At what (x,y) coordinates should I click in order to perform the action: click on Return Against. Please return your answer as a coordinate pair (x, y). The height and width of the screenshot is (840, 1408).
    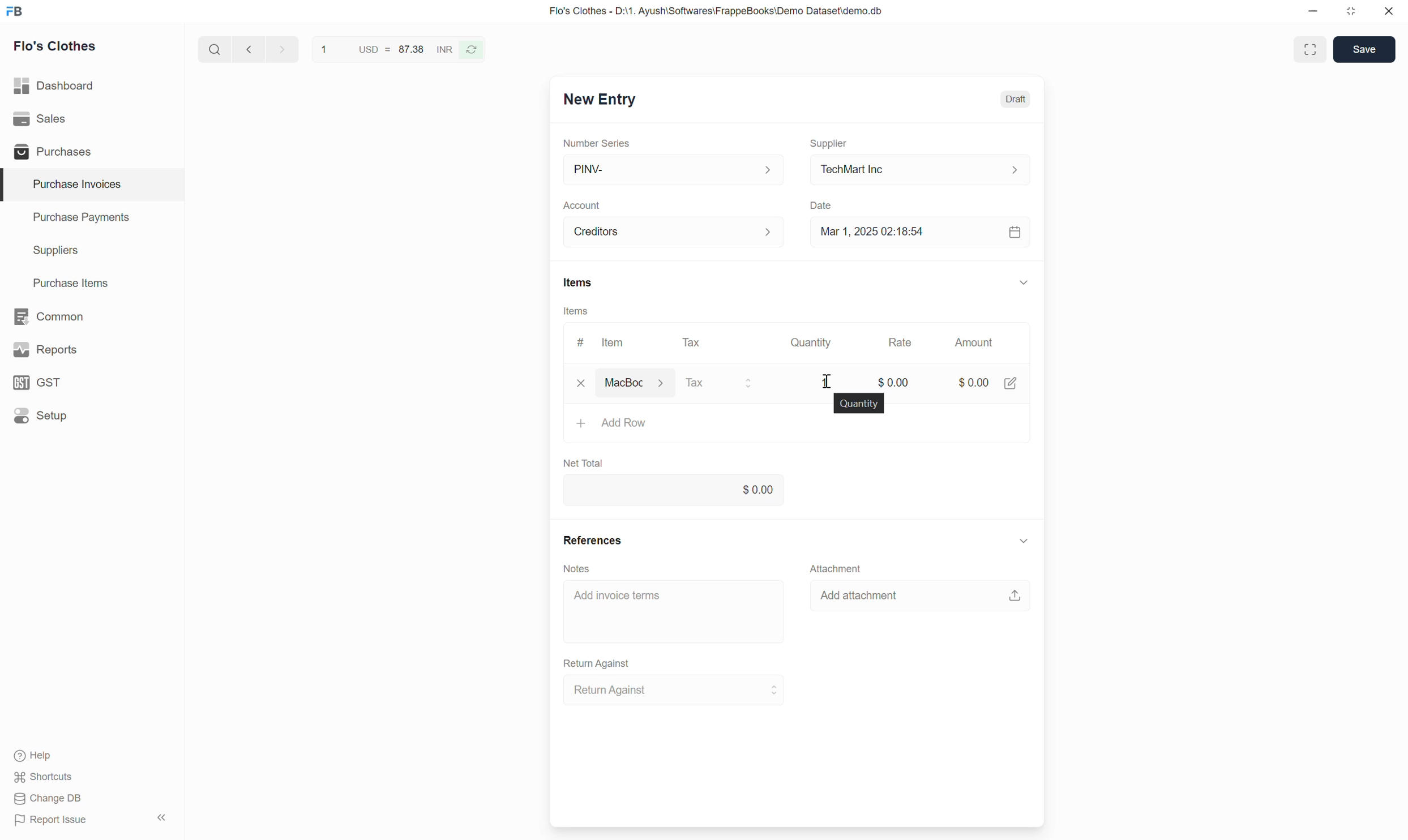
    Looking at the image, I should click on (597, 664).